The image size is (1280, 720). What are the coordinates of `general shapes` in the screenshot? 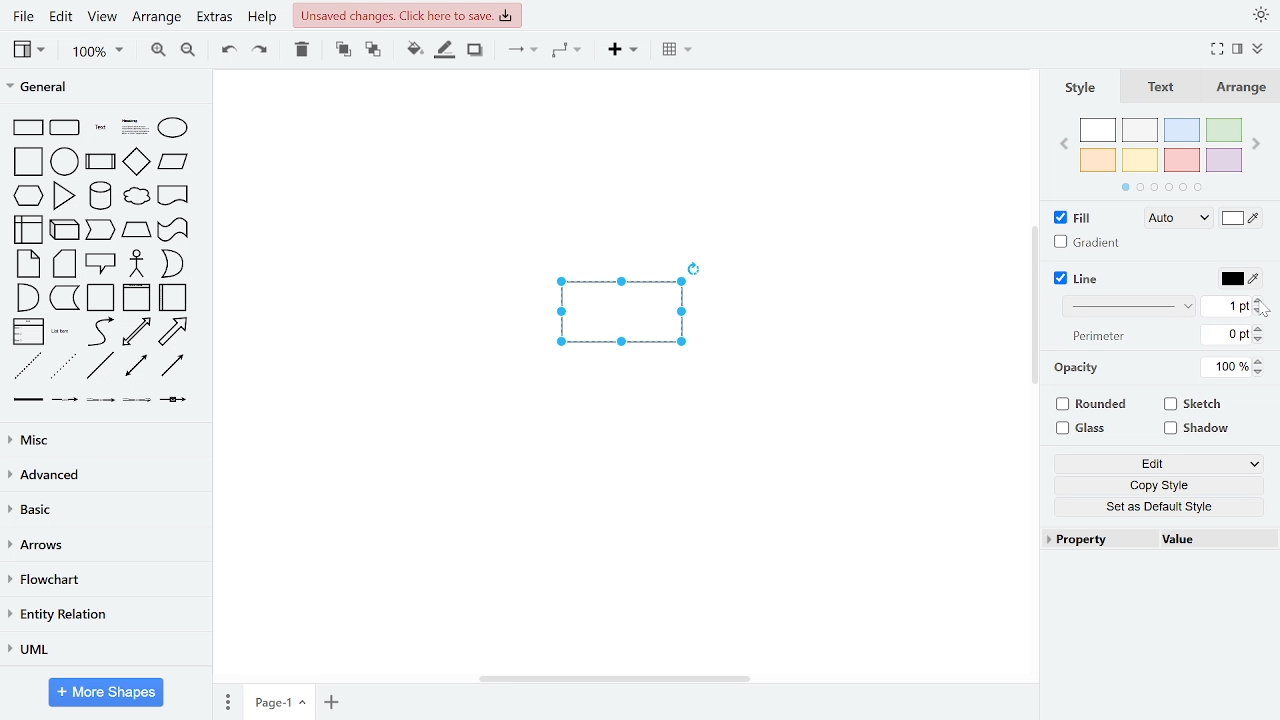 It's located at (26, 126).